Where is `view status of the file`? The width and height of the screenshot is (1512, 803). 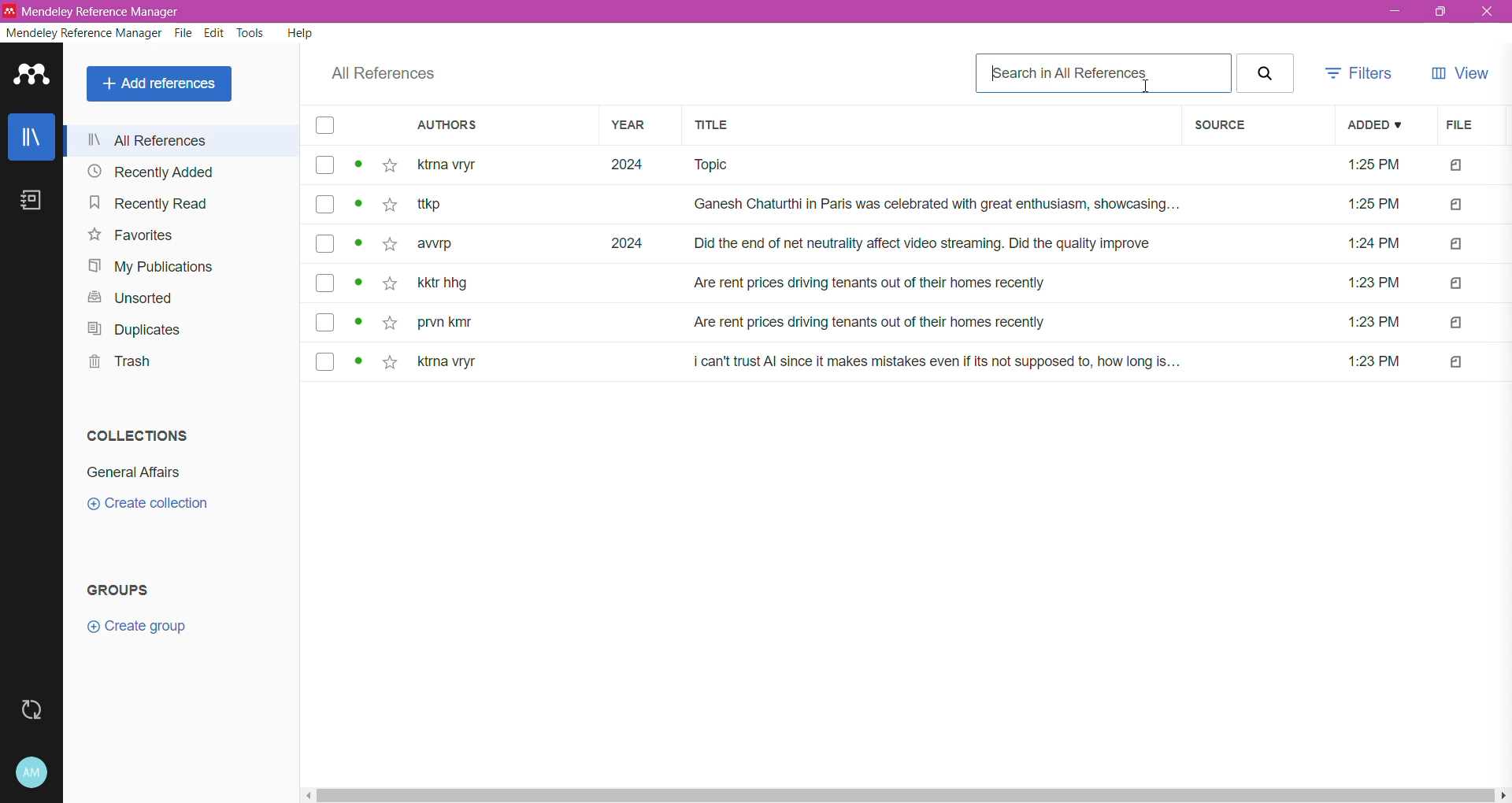 view status of the file is located at coordinates (359, 204).